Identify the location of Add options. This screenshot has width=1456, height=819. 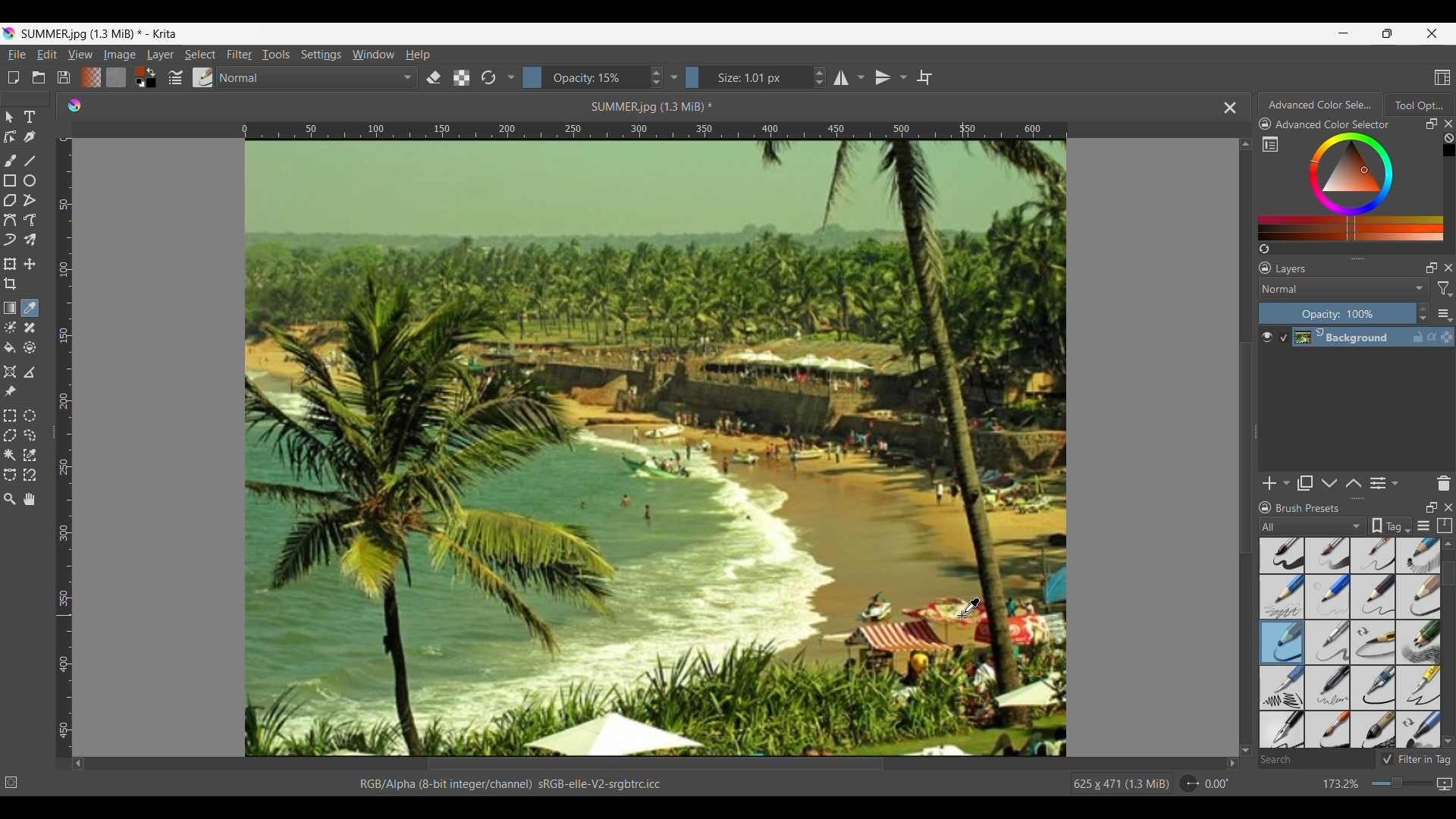
(1286, 484).